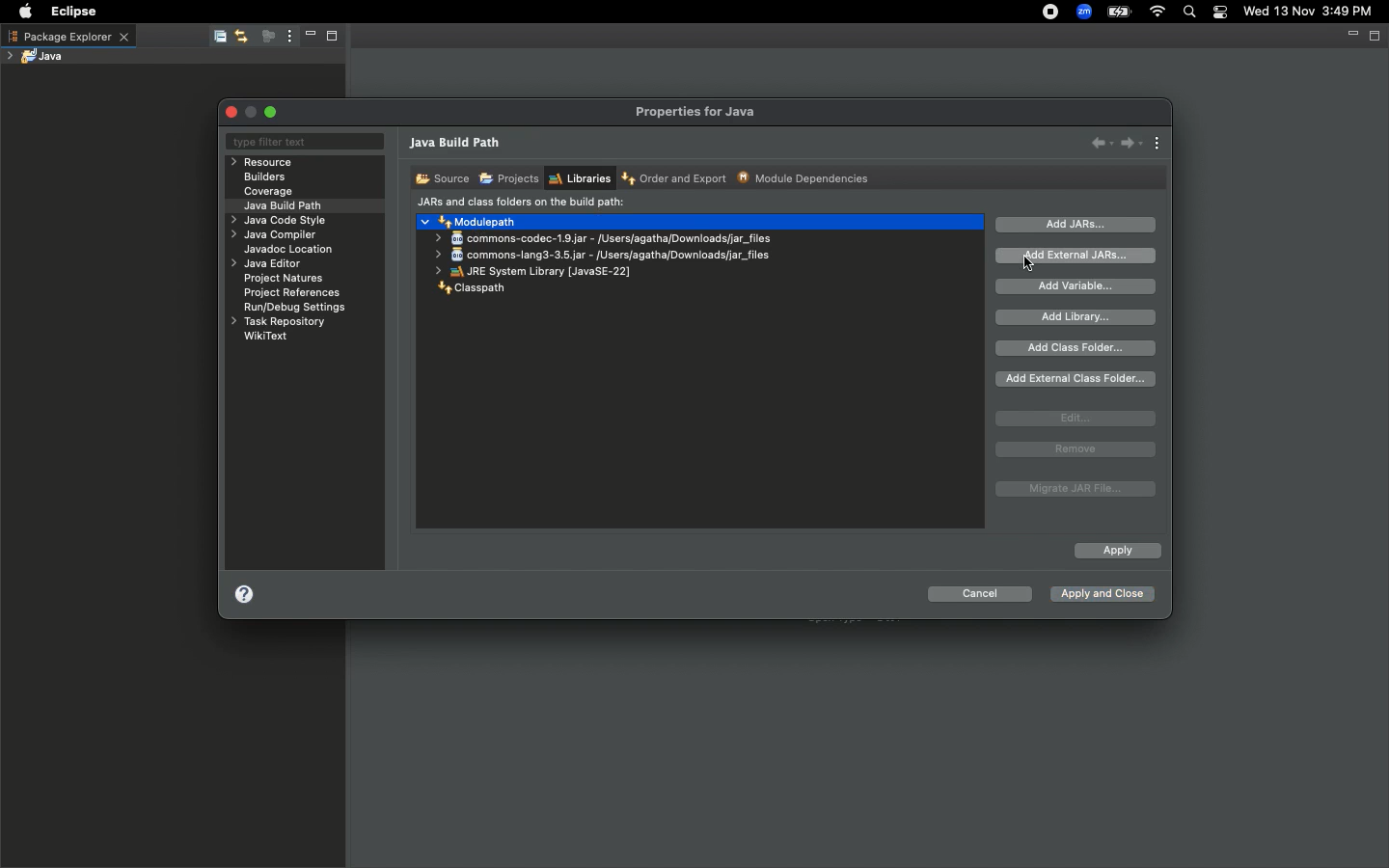 This screenshot has width=1389, height=868. What do you see at coordinates (244, 598) in the screenshot?
I see `Help` at bounding box center [244, 598].